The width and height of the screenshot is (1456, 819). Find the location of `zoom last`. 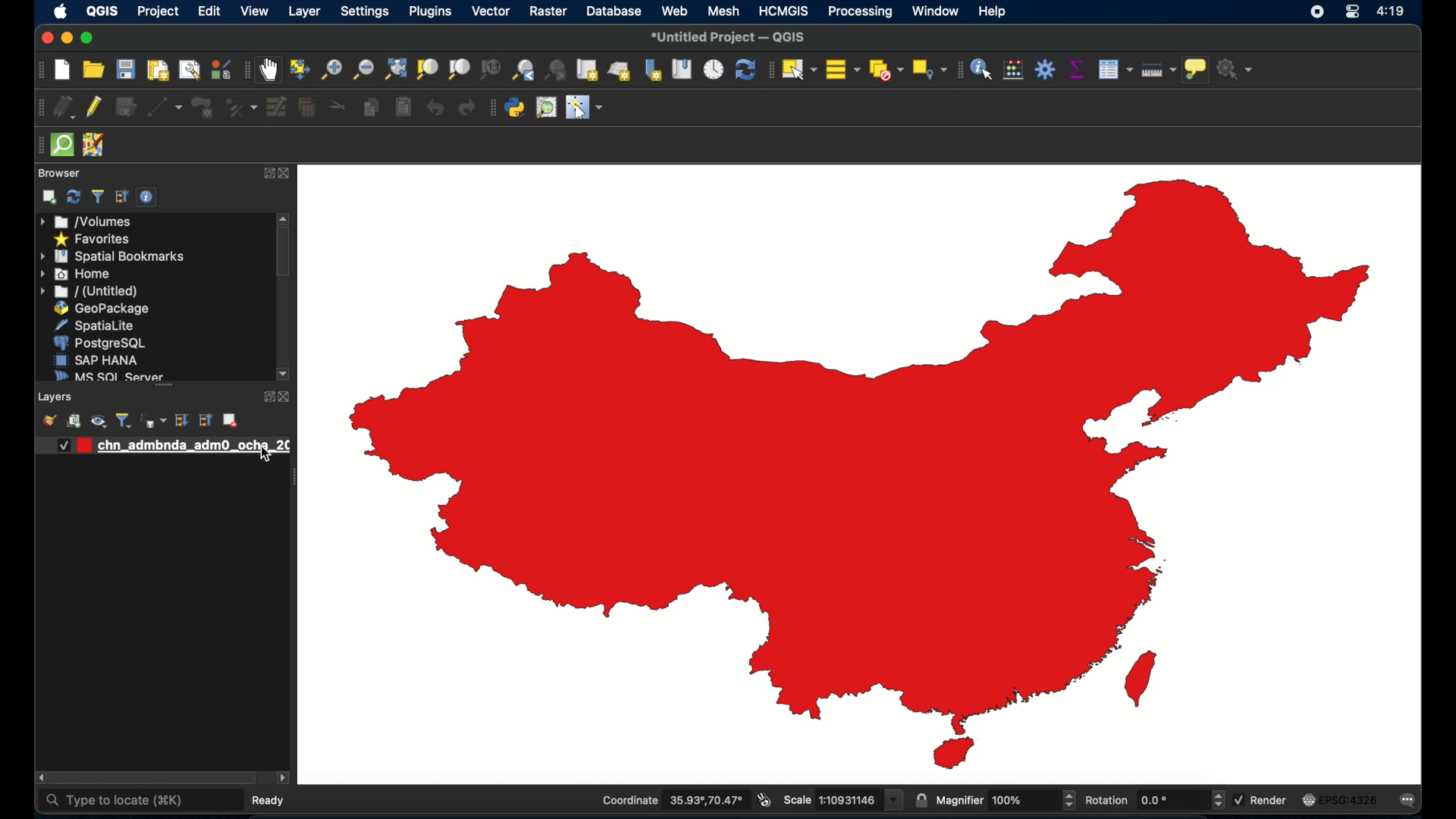

zoom last is located at coordinates (557, 70).